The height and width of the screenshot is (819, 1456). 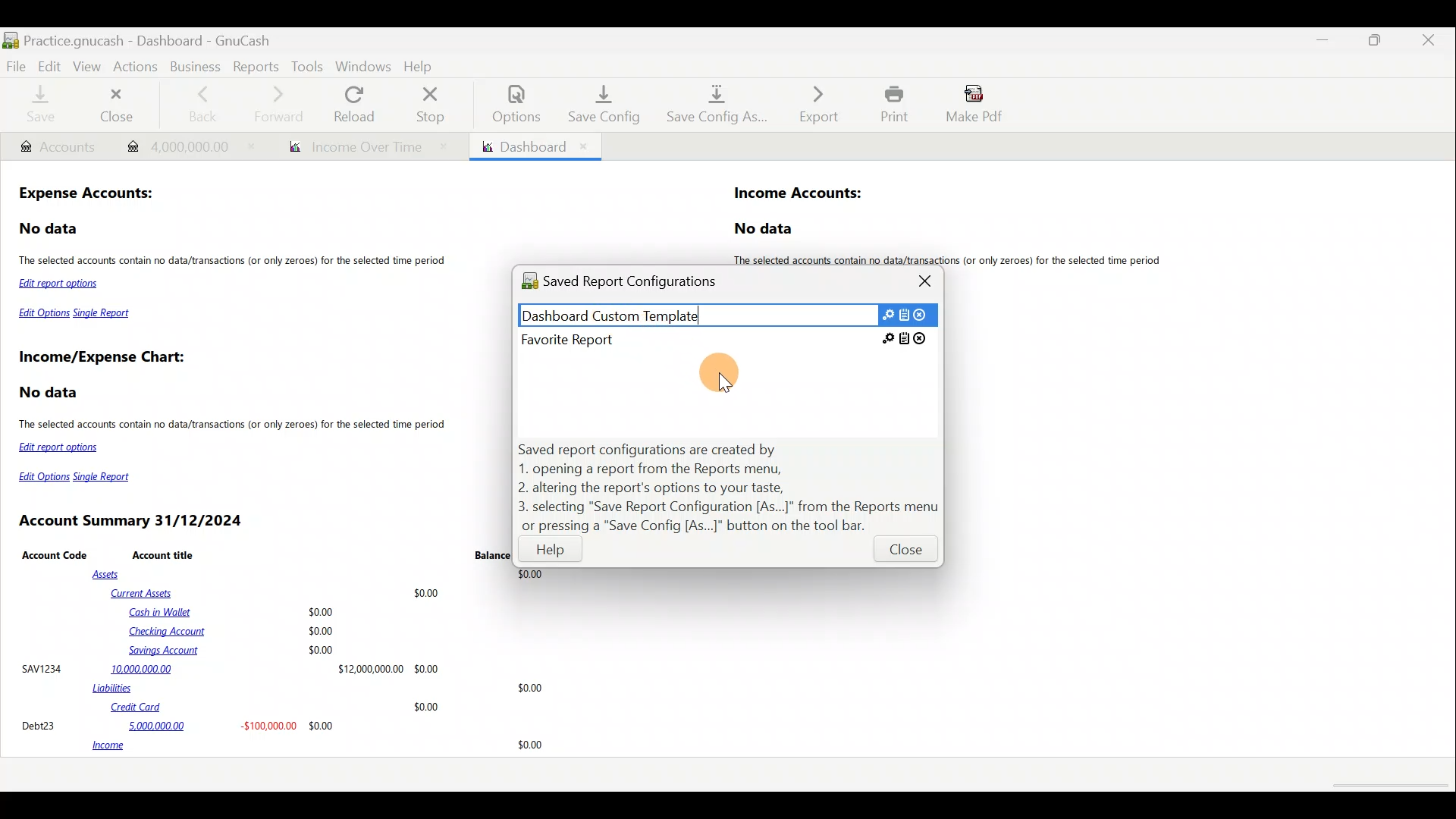 I want to click on Dashboard, so click(x=534, y=146).